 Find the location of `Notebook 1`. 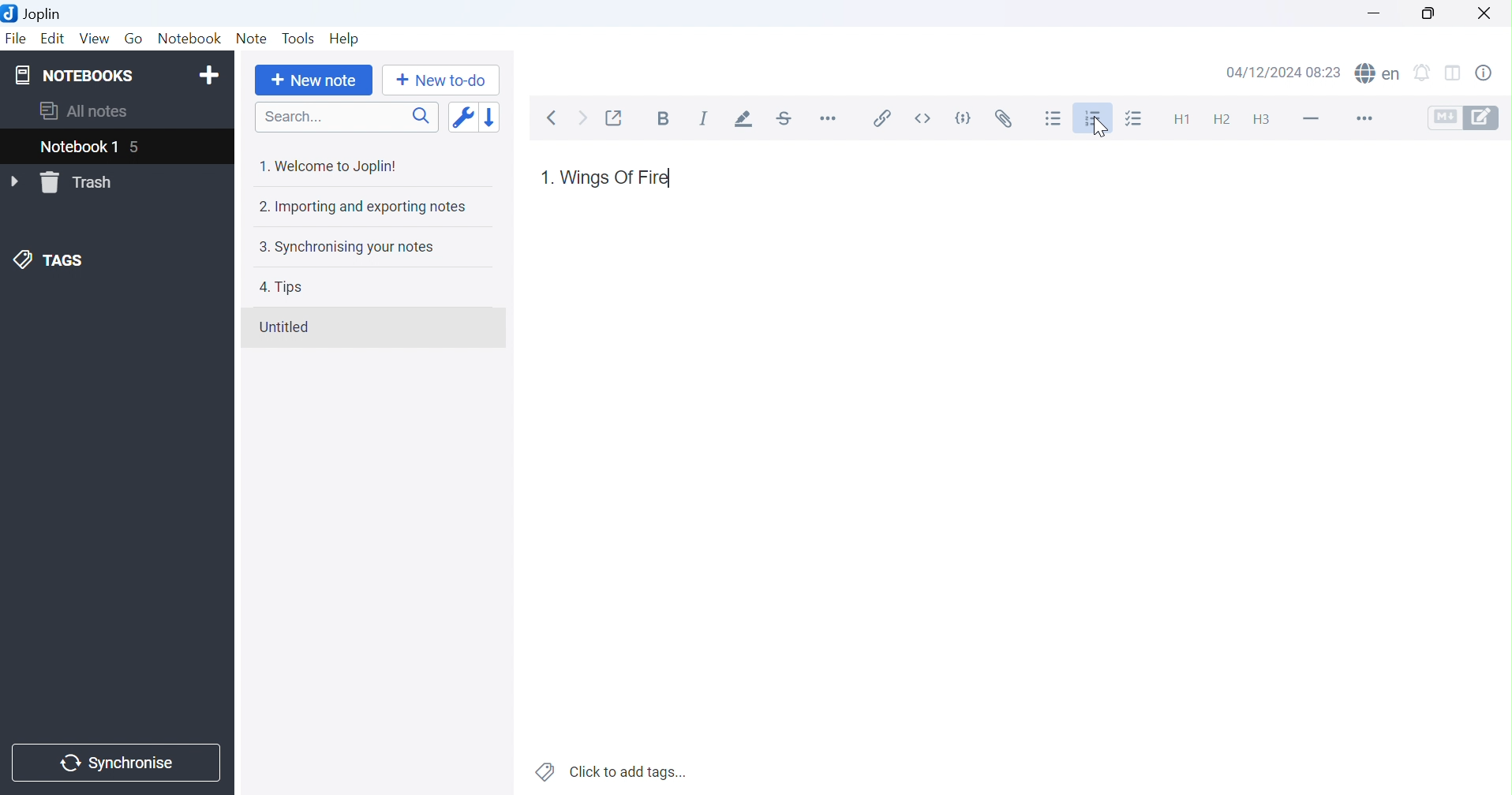

Notebook 1 is located at coordinates (78, 148).